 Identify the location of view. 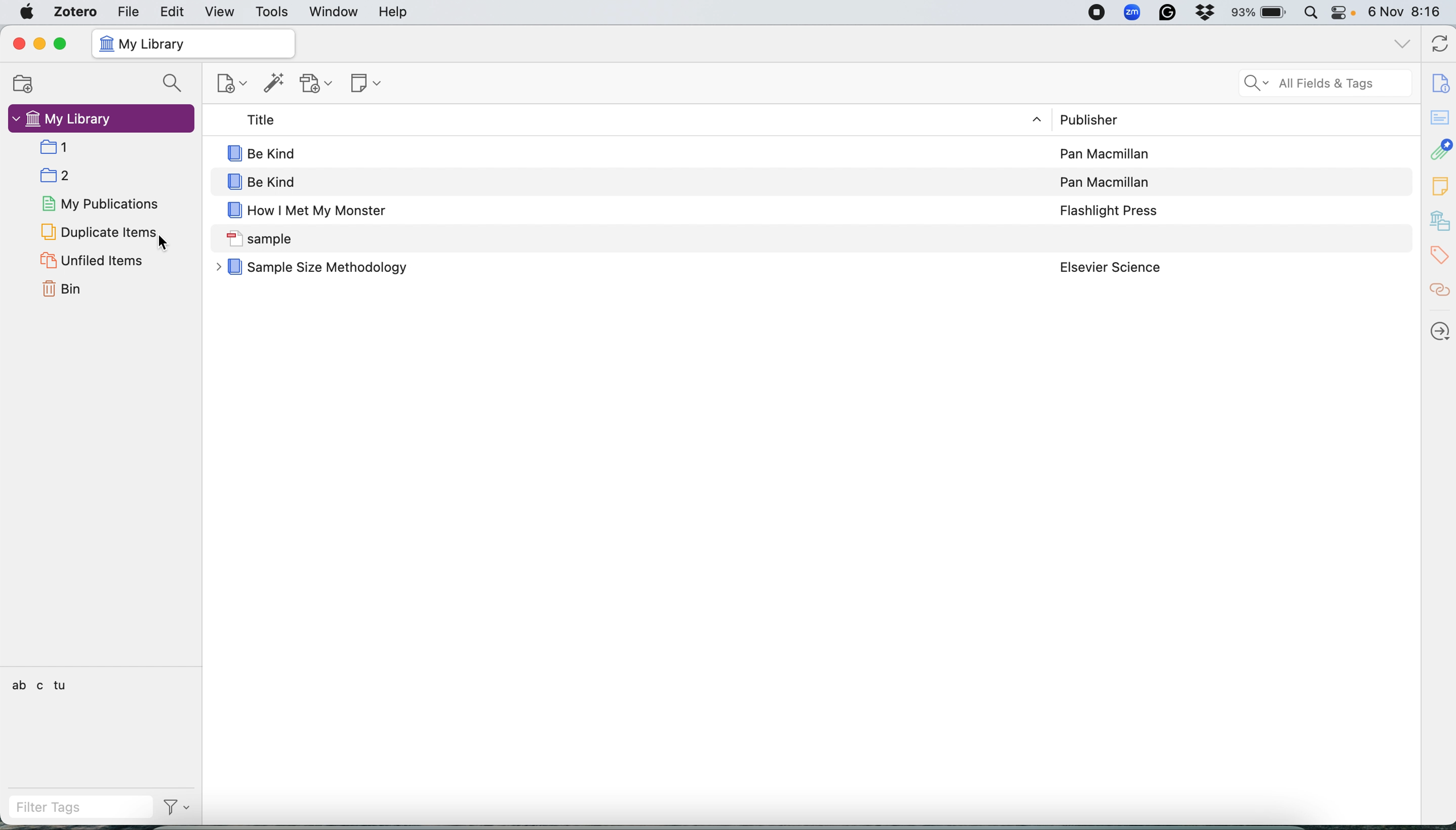
(219, 13).